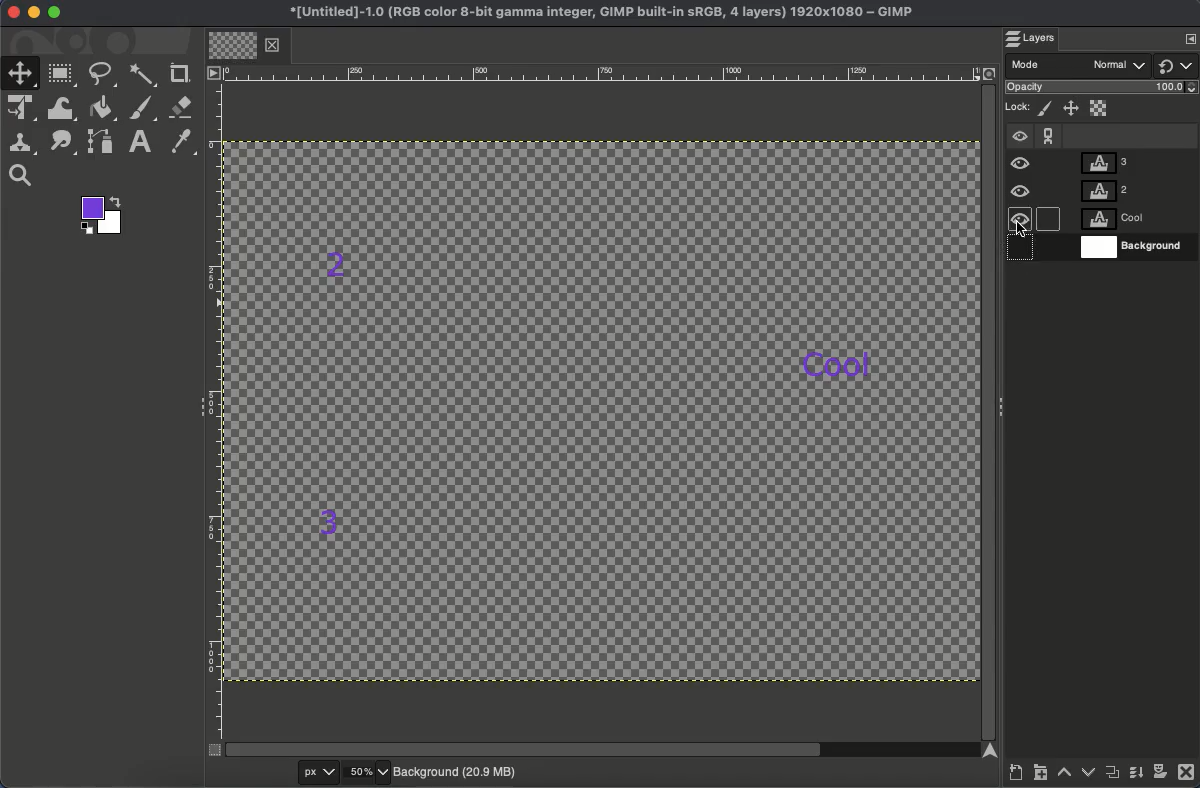 This screenshot has width=1200, height=788. Describe the element at coordinates (1049, 131) in the screenshot. I see `Chain` at that location.